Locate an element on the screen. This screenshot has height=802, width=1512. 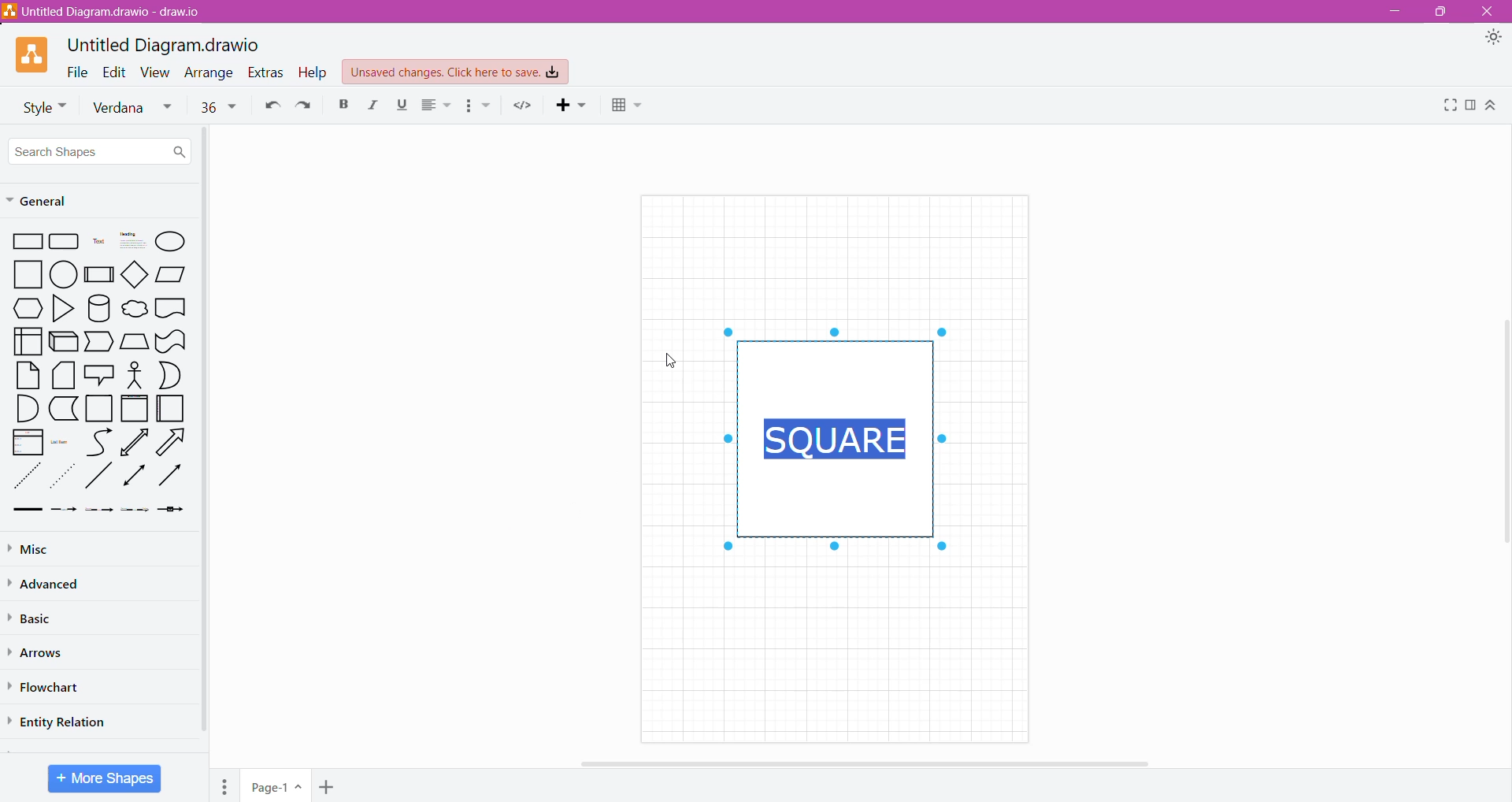
Undo is located at coordinates (269, 109).